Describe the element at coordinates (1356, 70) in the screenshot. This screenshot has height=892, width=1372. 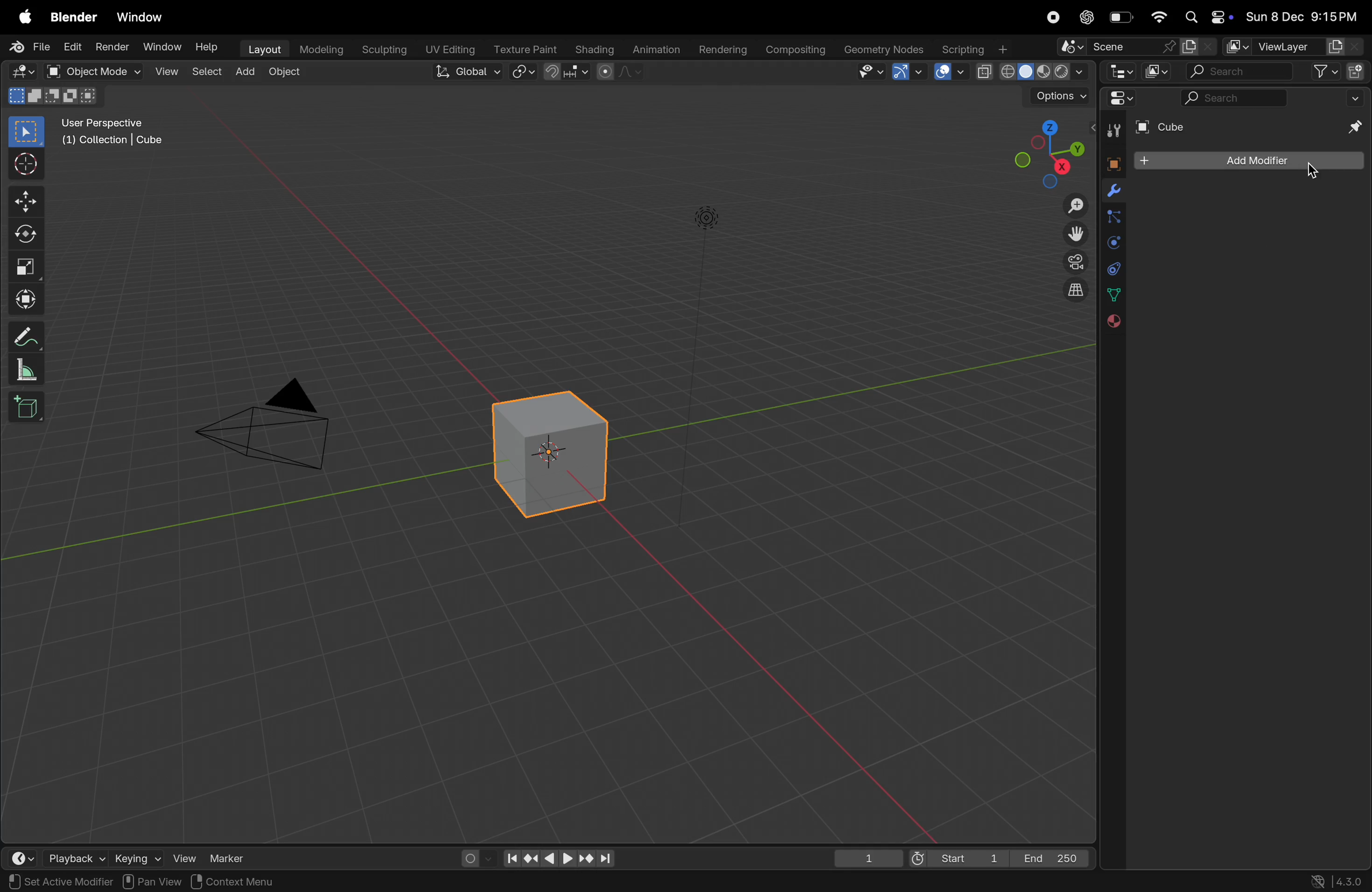
I see `new collection` at that location.